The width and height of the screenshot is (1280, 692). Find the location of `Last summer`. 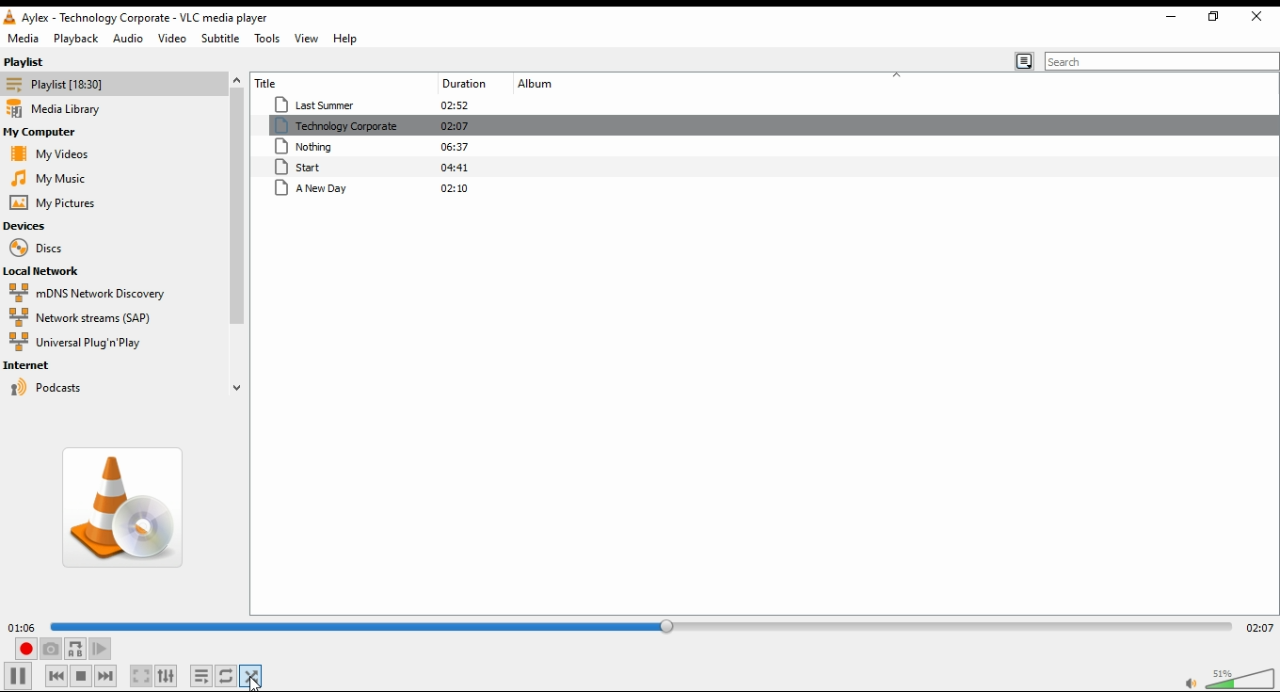

Last summer is located at coordinates (390, 103).